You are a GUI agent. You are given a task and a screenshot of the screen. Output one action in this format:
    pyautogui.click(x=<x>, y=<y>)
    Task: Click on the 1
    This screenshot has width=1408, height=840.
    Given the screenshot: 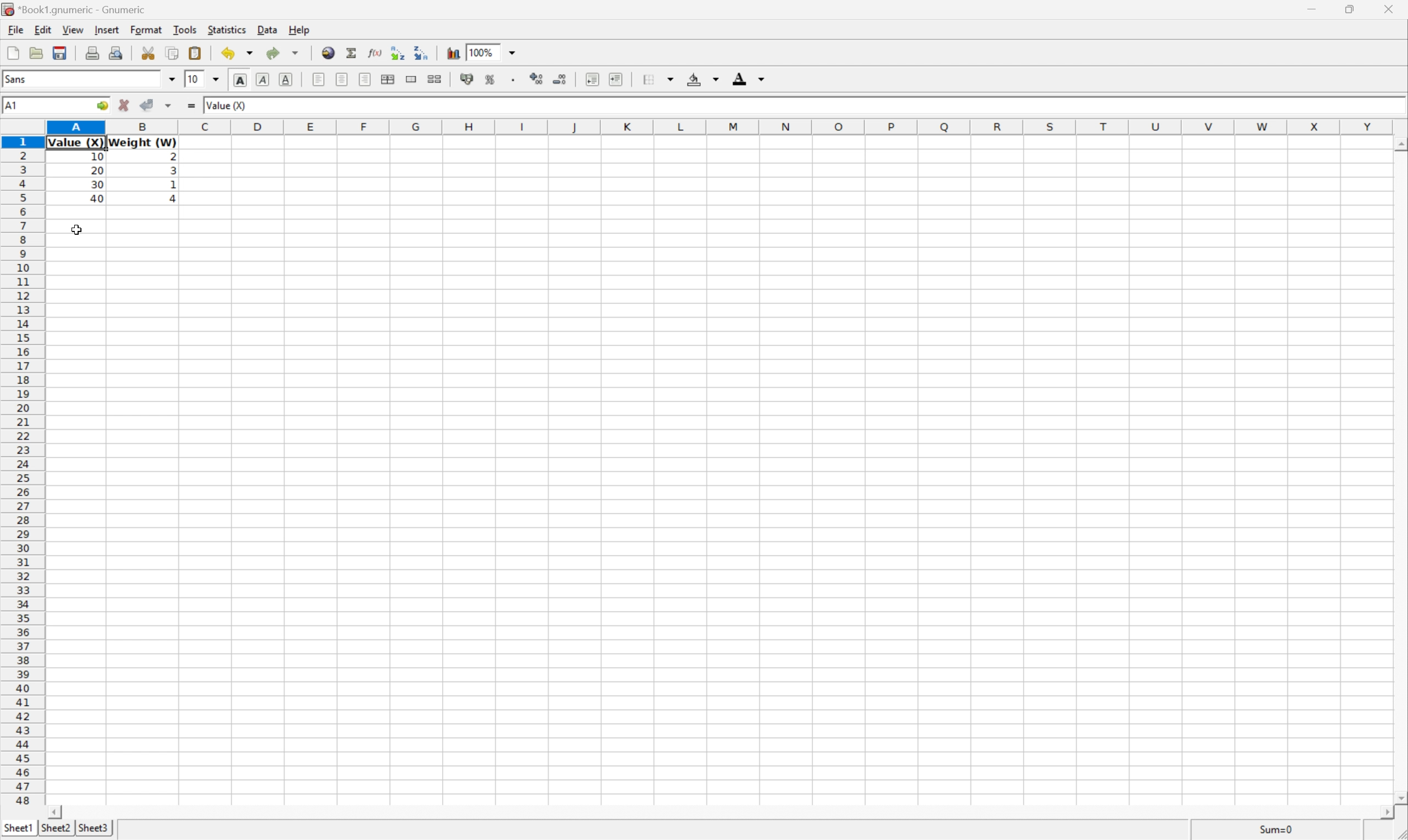 What is the action you would take?
    pyautogui.click(x=172, y=185)
    